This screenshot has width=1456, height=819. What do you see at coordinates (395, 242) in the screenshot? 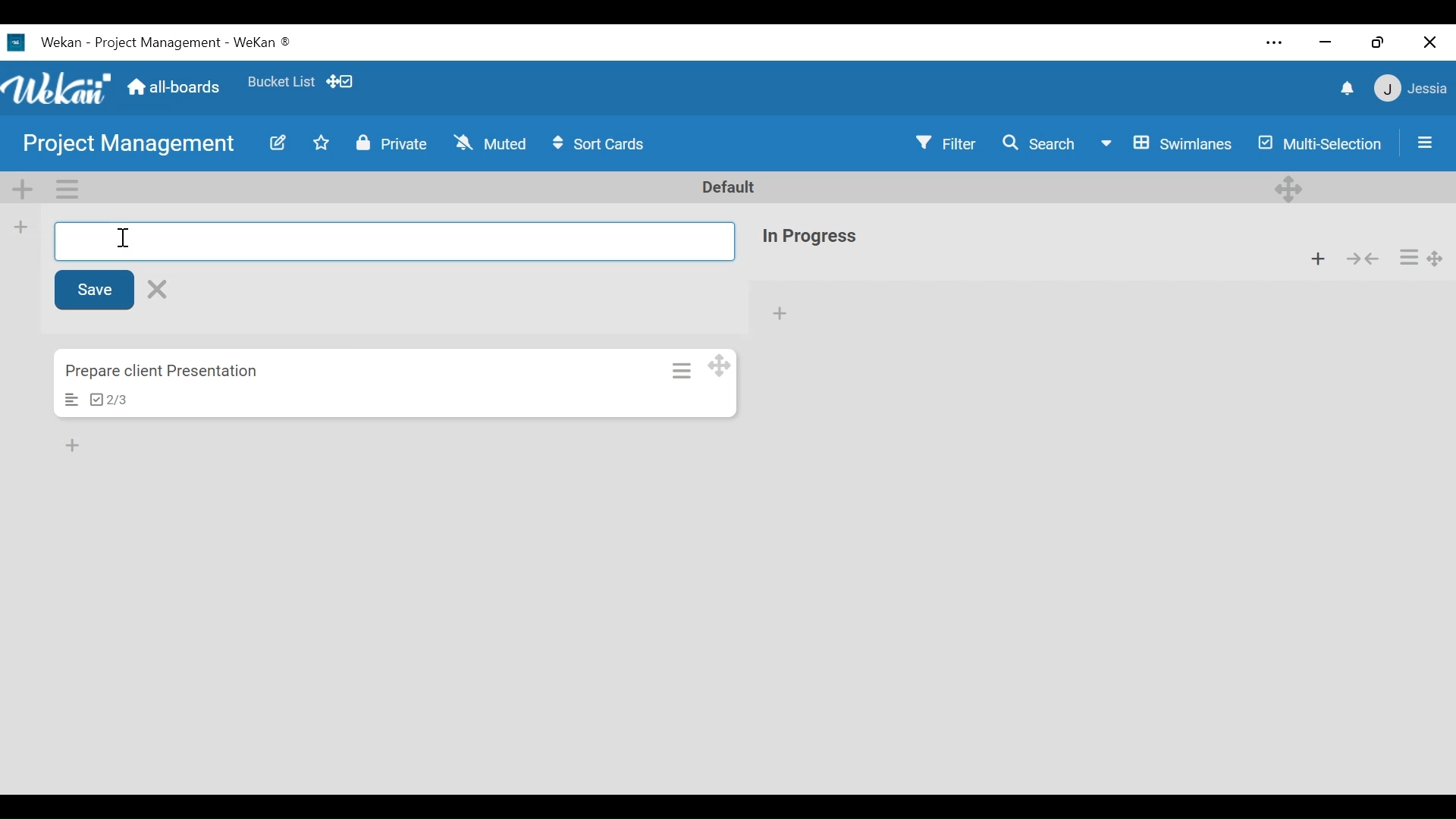
I see `list name field` at bounding box center [395, 242].